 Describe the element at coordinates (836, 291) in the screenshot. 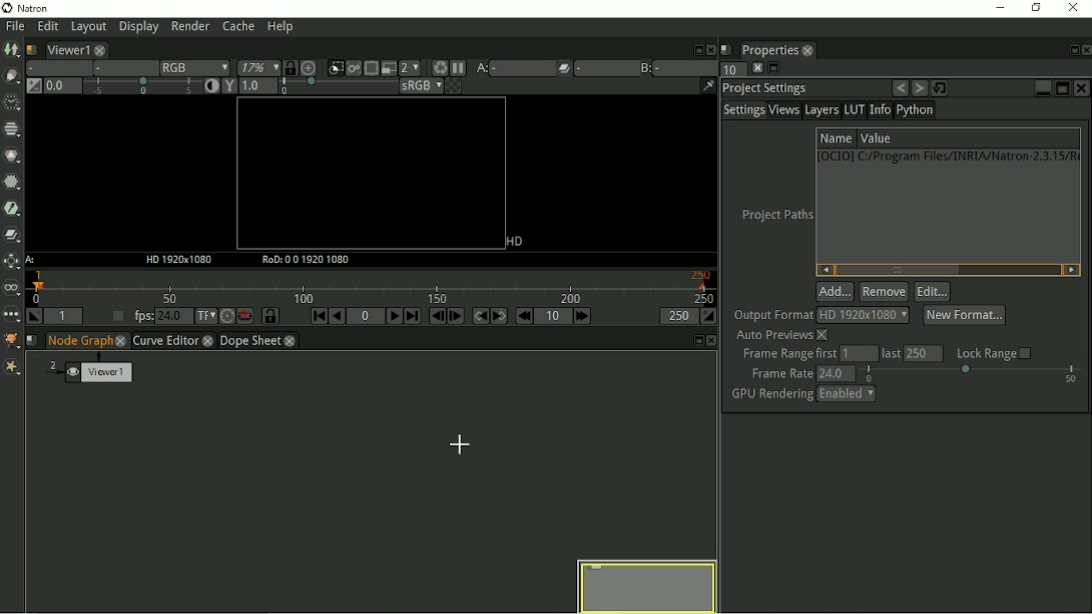

I see `Add` at that location.